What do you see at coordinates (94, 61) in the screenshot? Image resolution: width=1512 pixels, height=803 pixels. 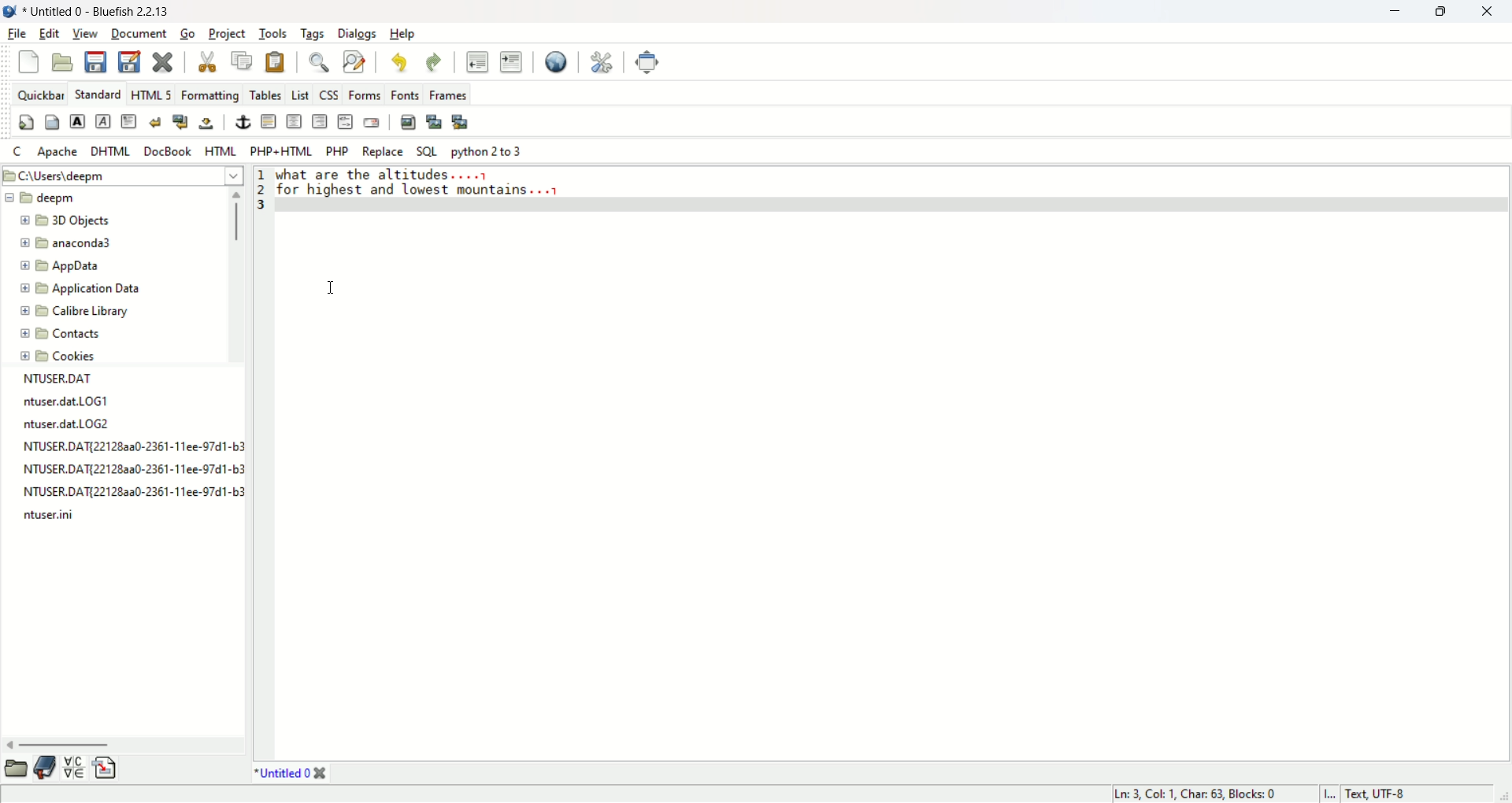 I see `save current file` at bounding box center [94, 61].